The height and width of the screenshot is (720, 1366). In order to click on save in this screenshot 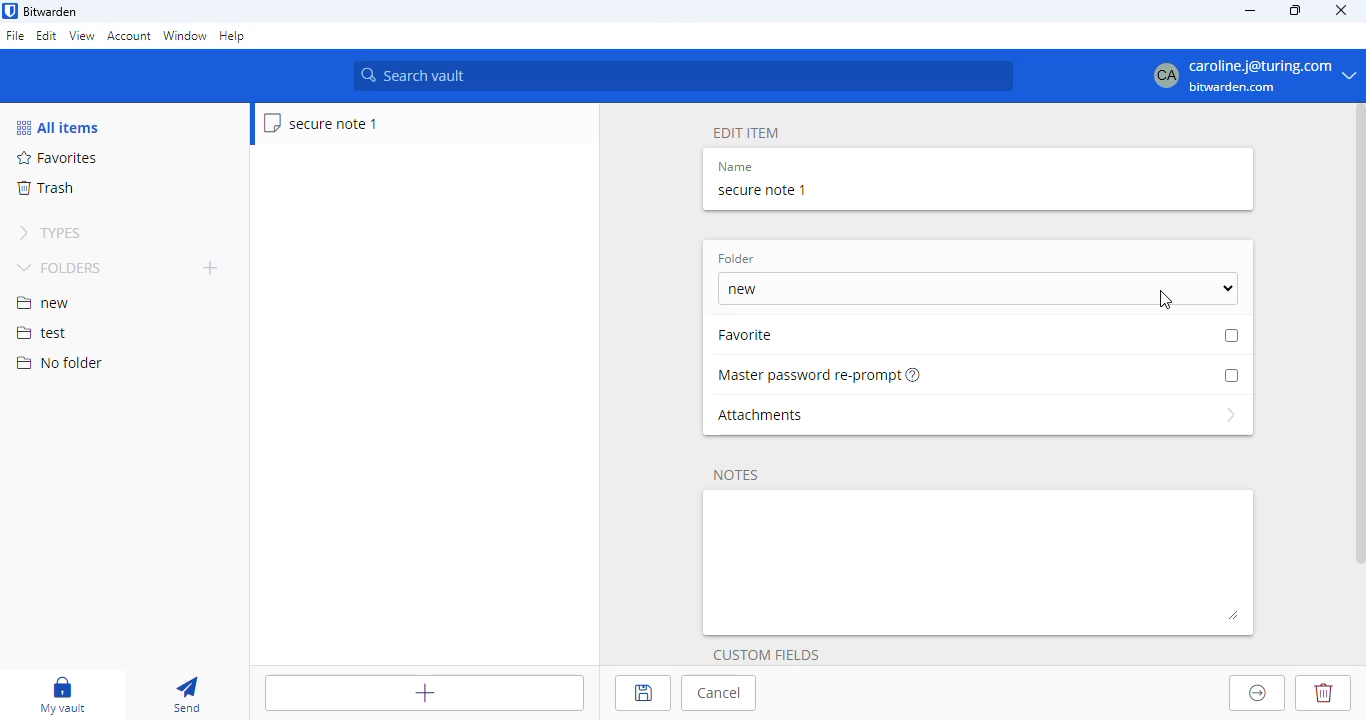, I will do `click(642, 693)`.